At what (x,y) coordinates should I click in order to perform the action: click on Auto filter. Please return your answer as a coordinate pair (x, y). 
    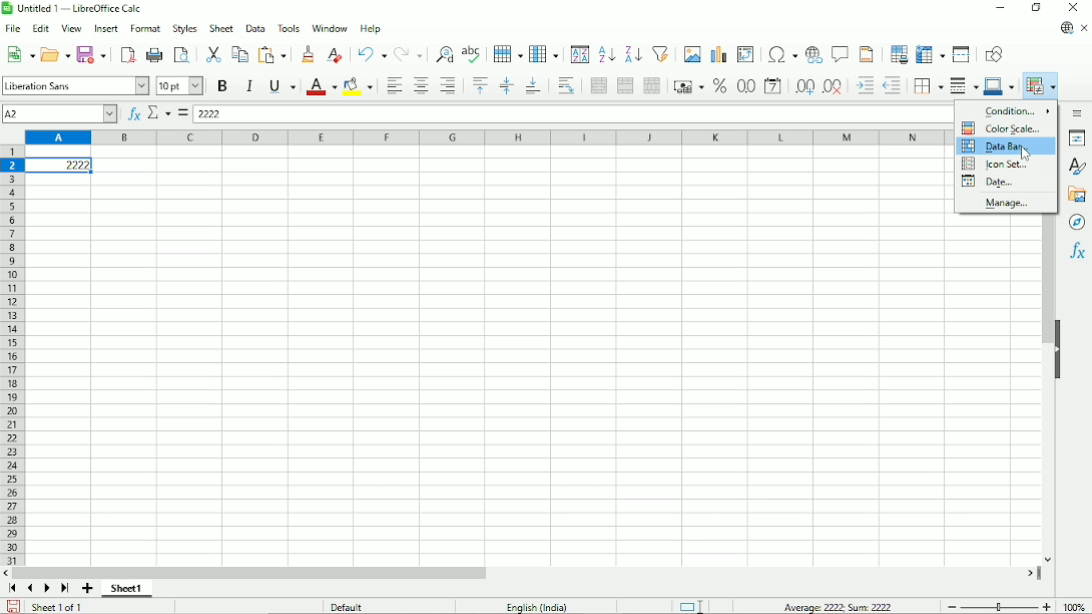
    Looking at the image, I should click on (661, 53).